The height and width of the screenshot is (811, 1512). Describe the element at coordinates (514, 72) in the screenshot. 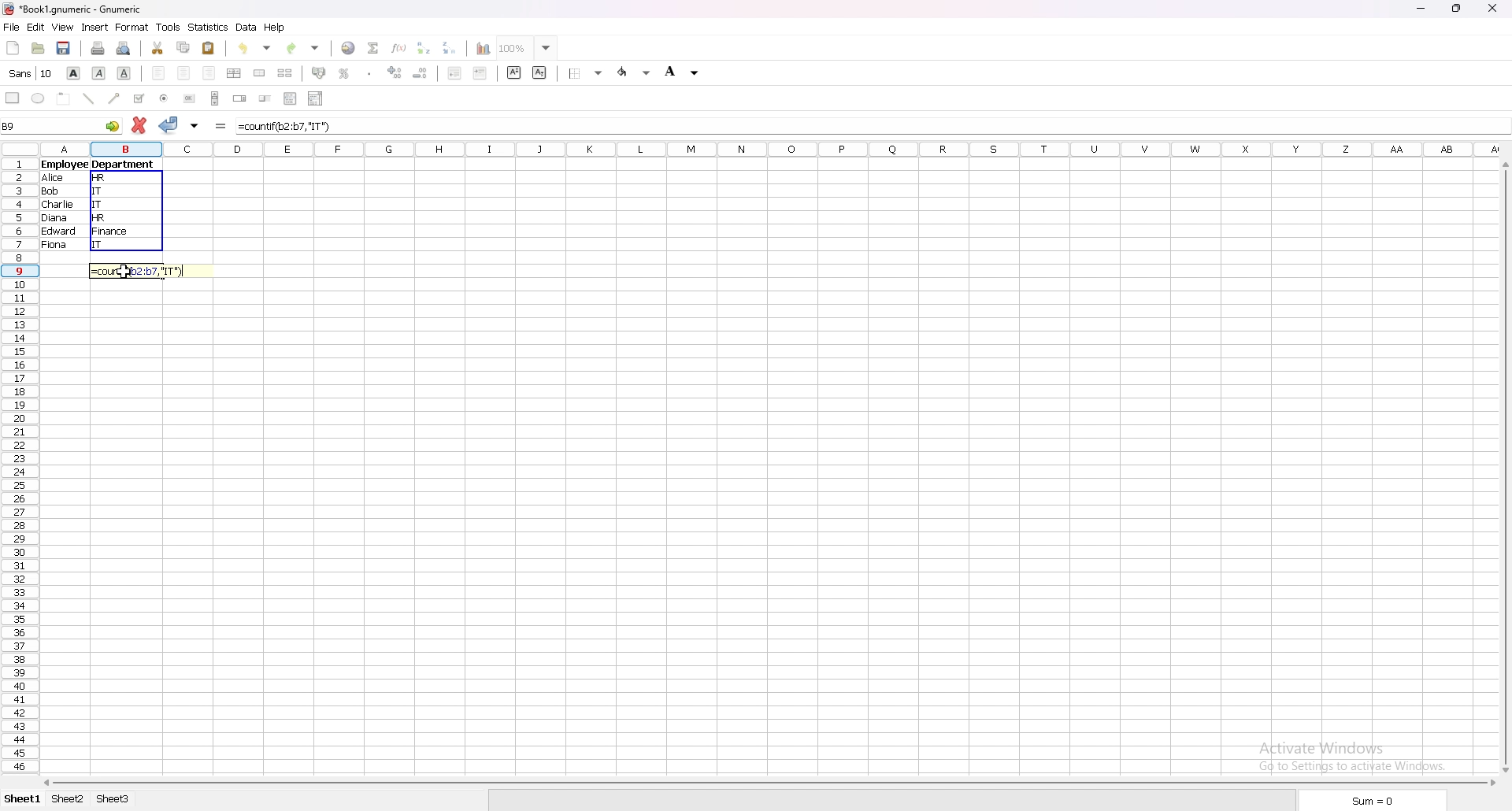

I see `superscript` at that location.